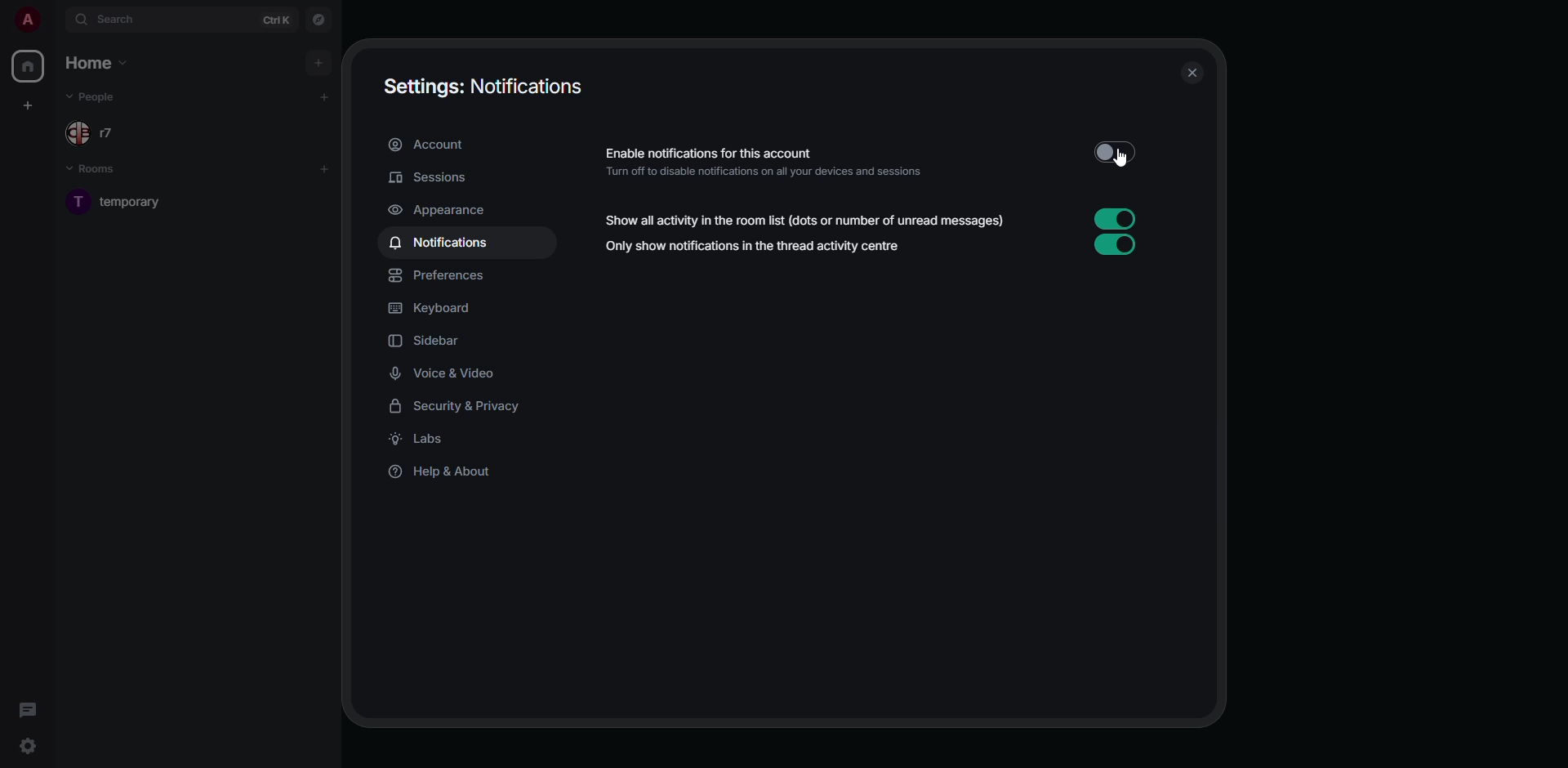 The height and width of the screenshot is (768, 1568). I want to click on profile, so click(24, 20).